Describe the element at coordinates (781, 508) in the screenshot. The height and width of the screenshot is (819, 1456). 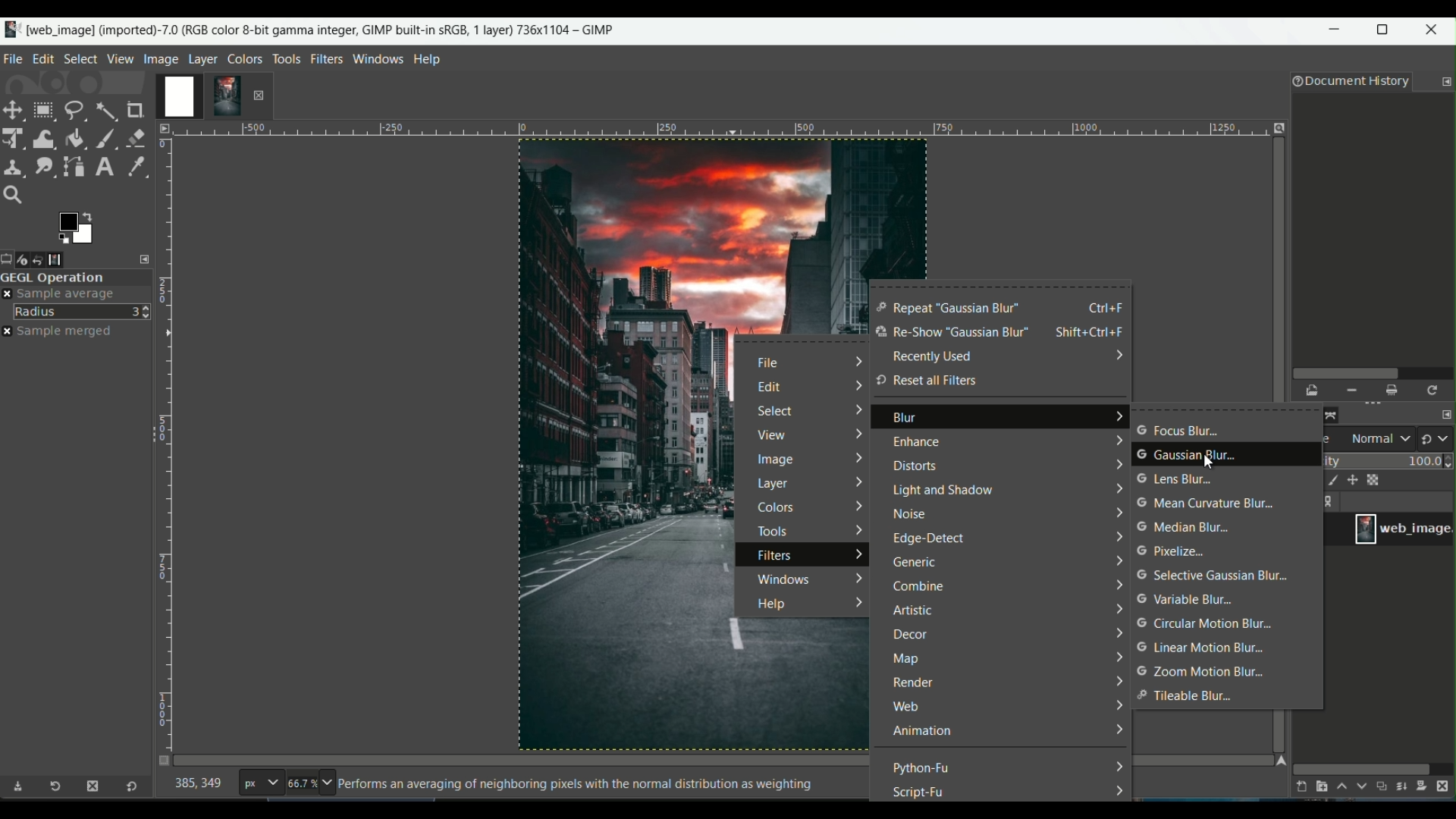
I see `colors` at that location.